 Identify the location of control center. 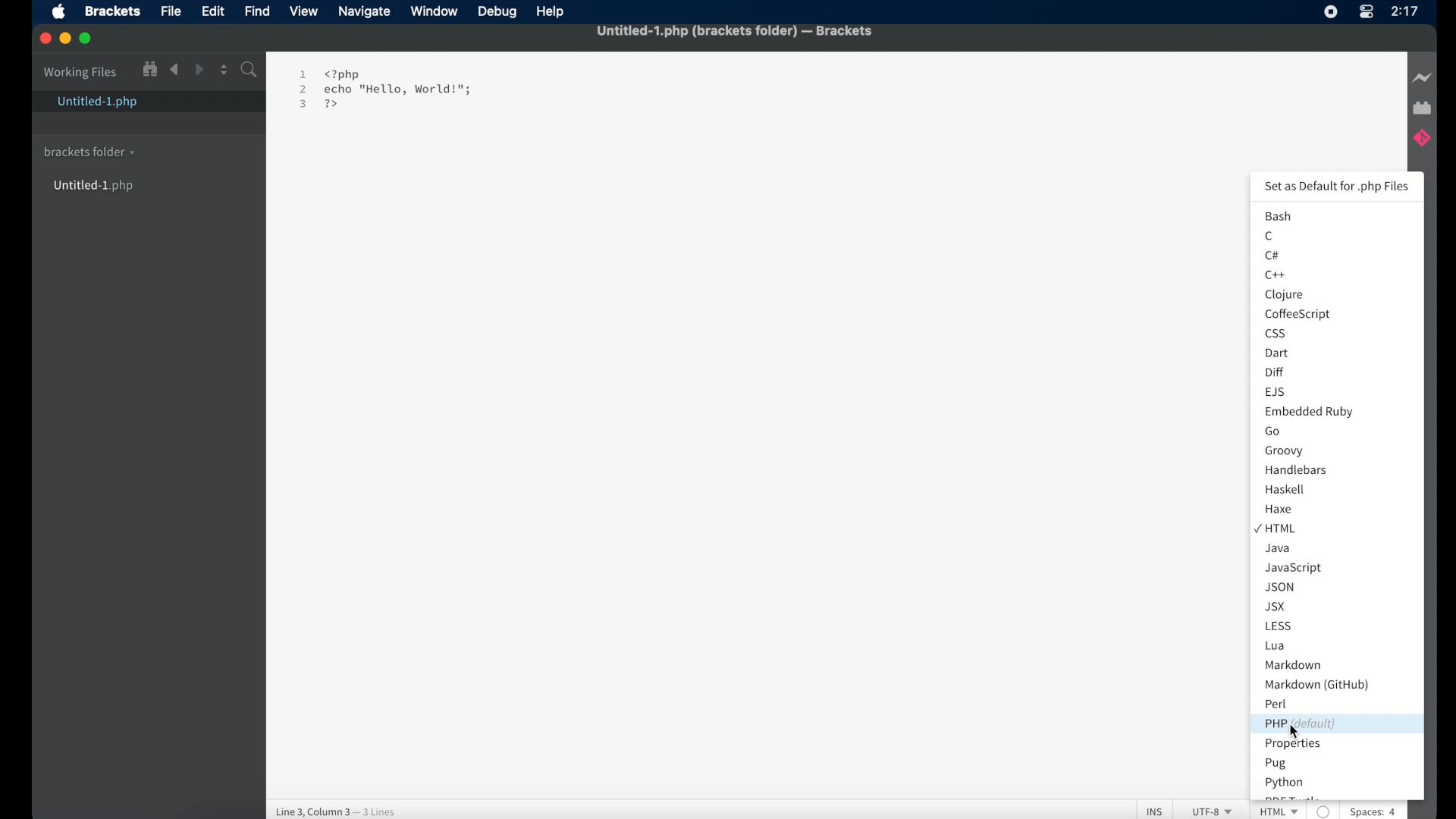
(1366, 13).